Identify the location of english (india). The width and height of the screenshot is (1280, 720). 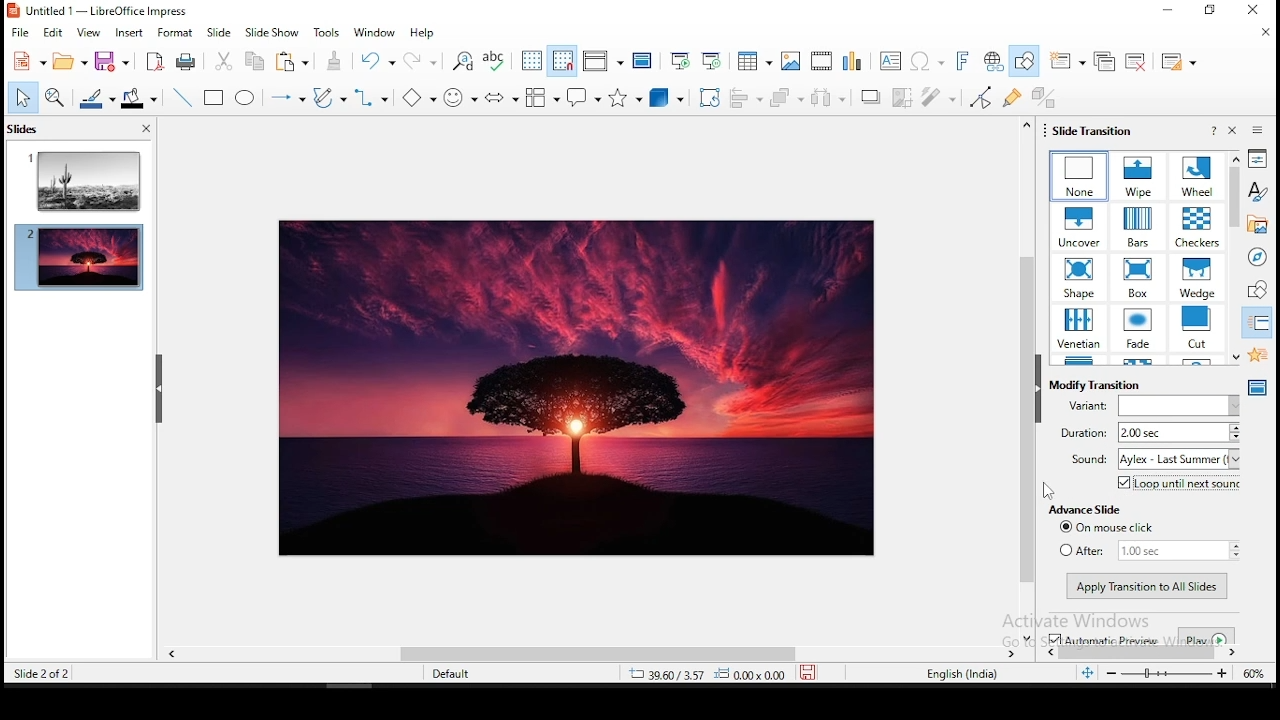
(961, 672).